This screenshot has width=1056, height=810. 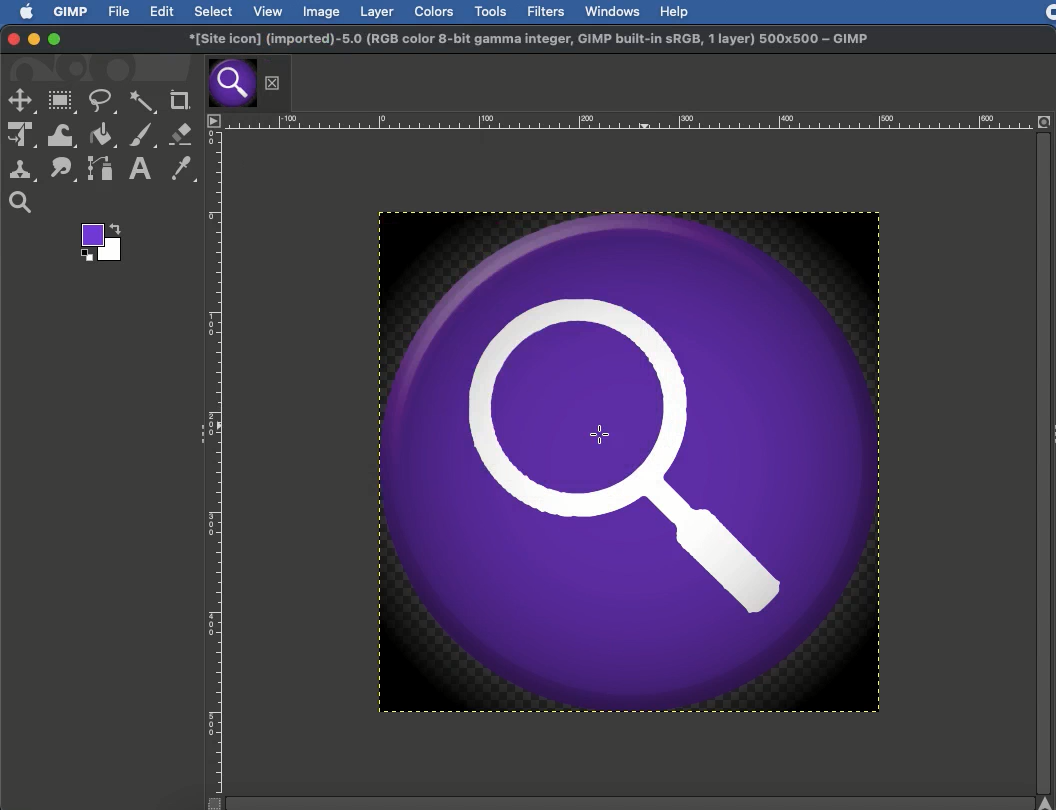 I want to click on Colors, so click(x=436, y=12).